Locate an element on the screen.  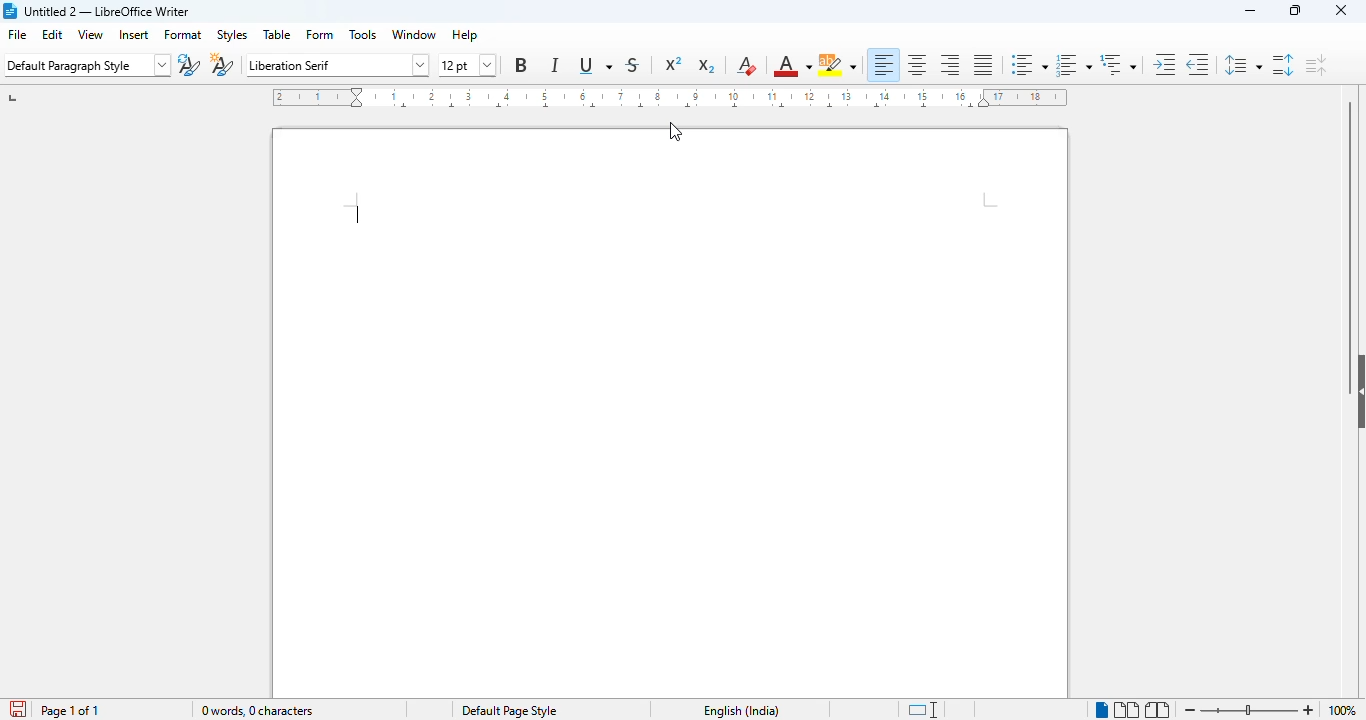
bold is located at coordinates (521, 65).